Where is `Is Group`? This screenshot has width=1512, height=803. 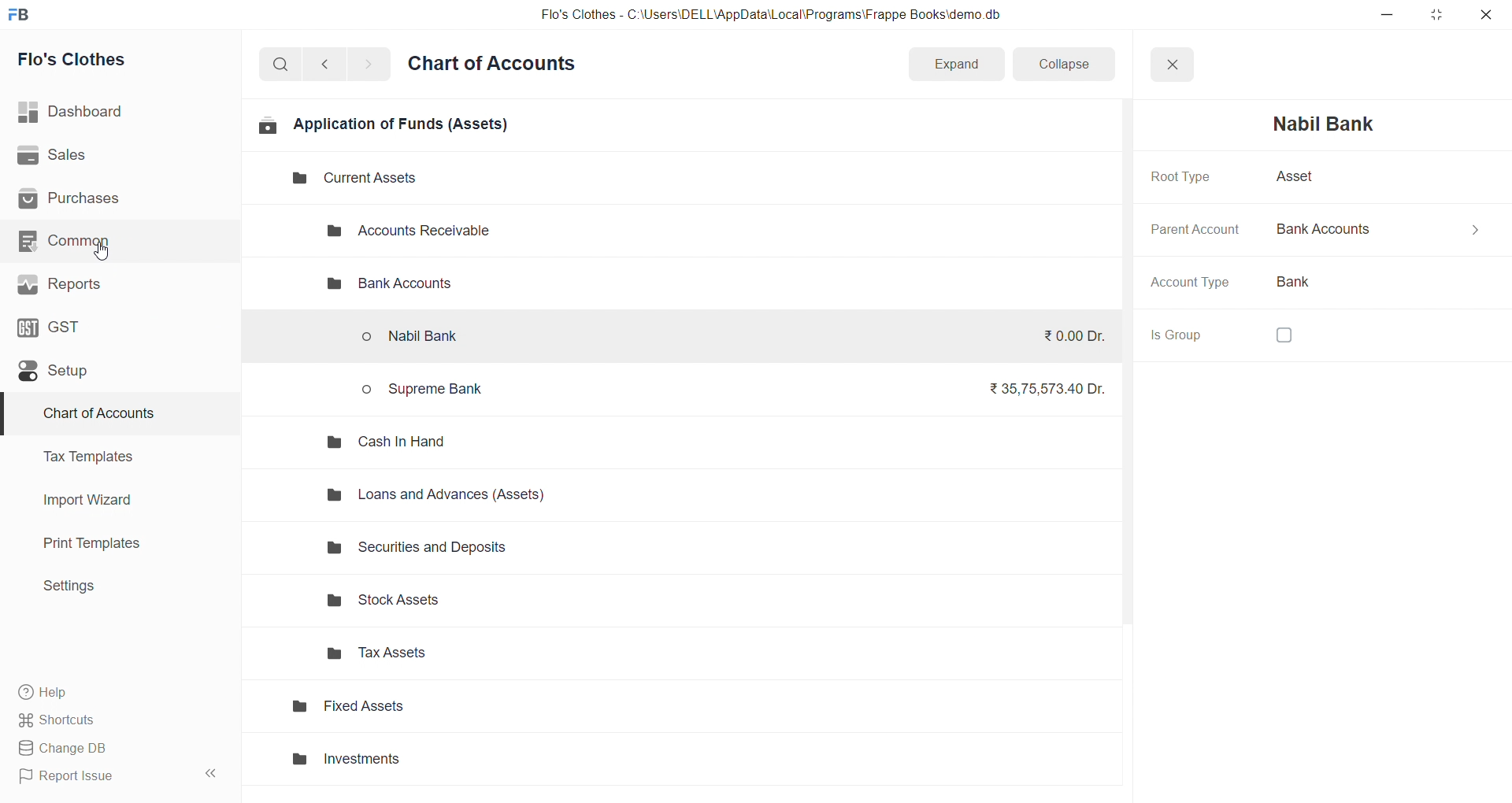 Is Group is located at coordinates (1186, 335).